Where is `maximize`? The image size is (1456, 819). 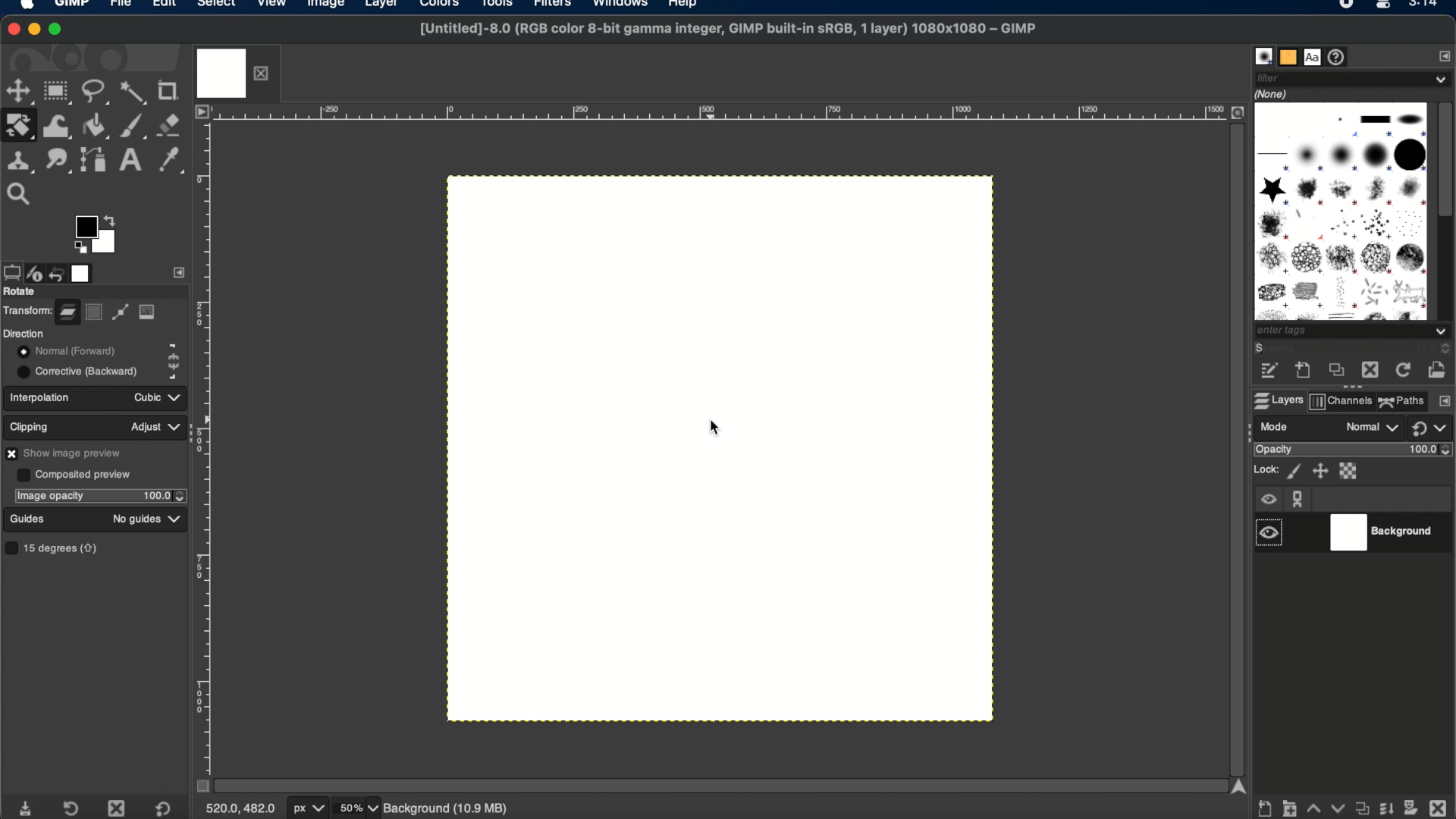
maximize is located at coordinates (58, 30).